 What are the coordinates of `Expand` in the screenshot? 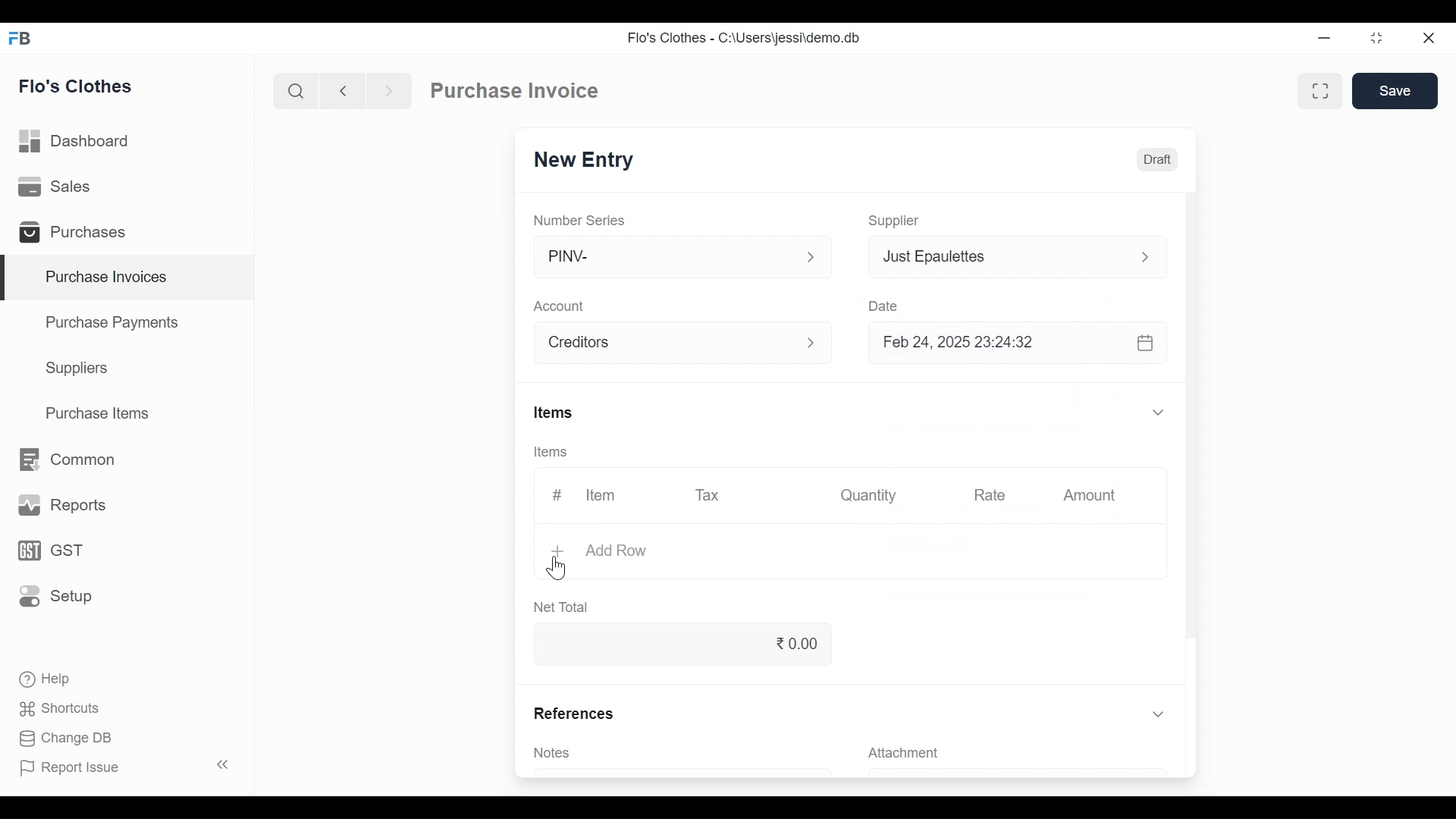 It's located at (1144, 257).